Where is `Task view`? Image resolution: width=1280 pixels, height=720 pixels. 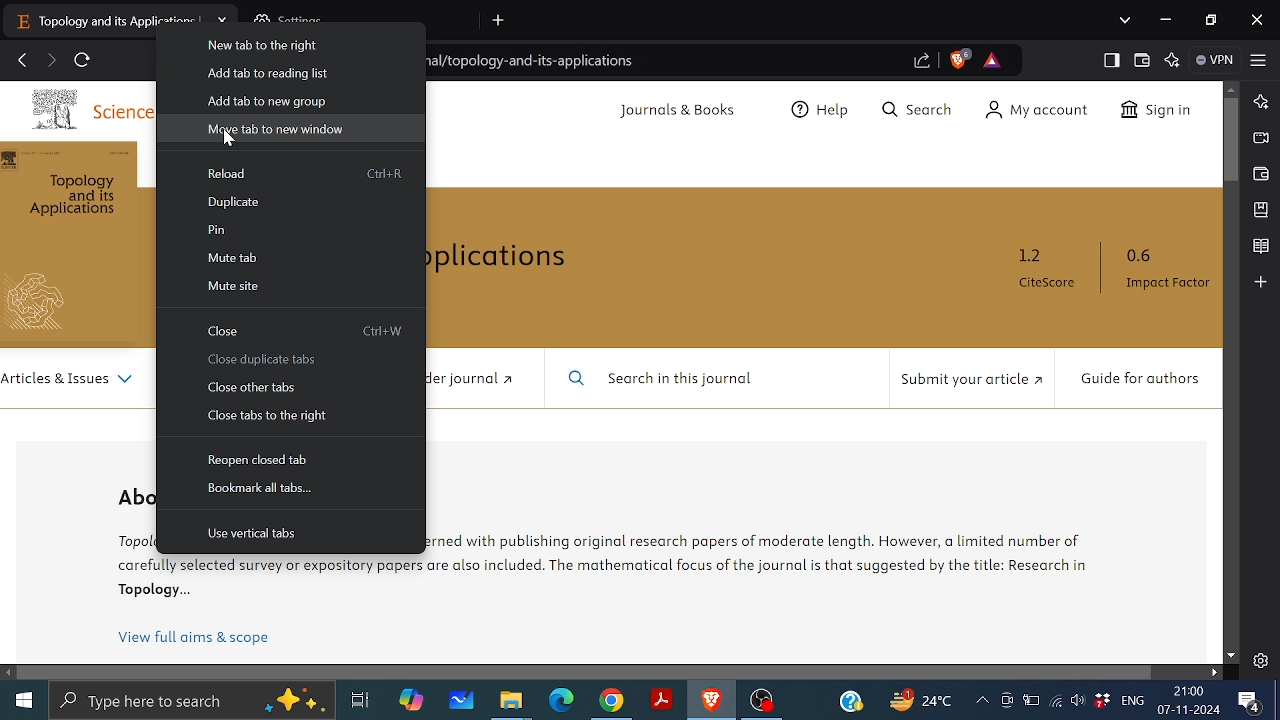
Task view is located at coordinates (359, 701).